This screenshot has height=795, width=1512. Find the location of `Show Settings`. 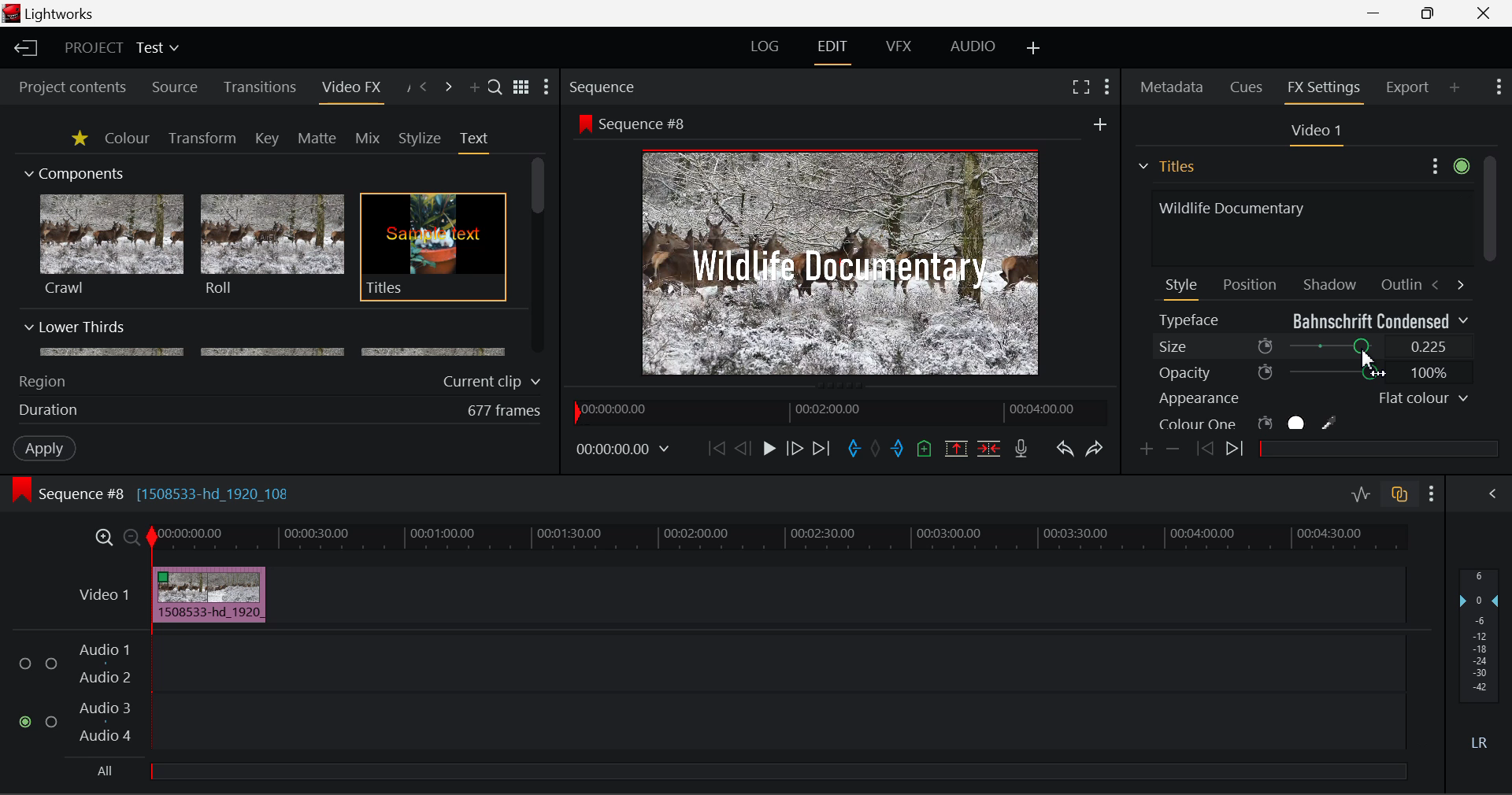

Show Settings is located at coordinates (1432, 494).